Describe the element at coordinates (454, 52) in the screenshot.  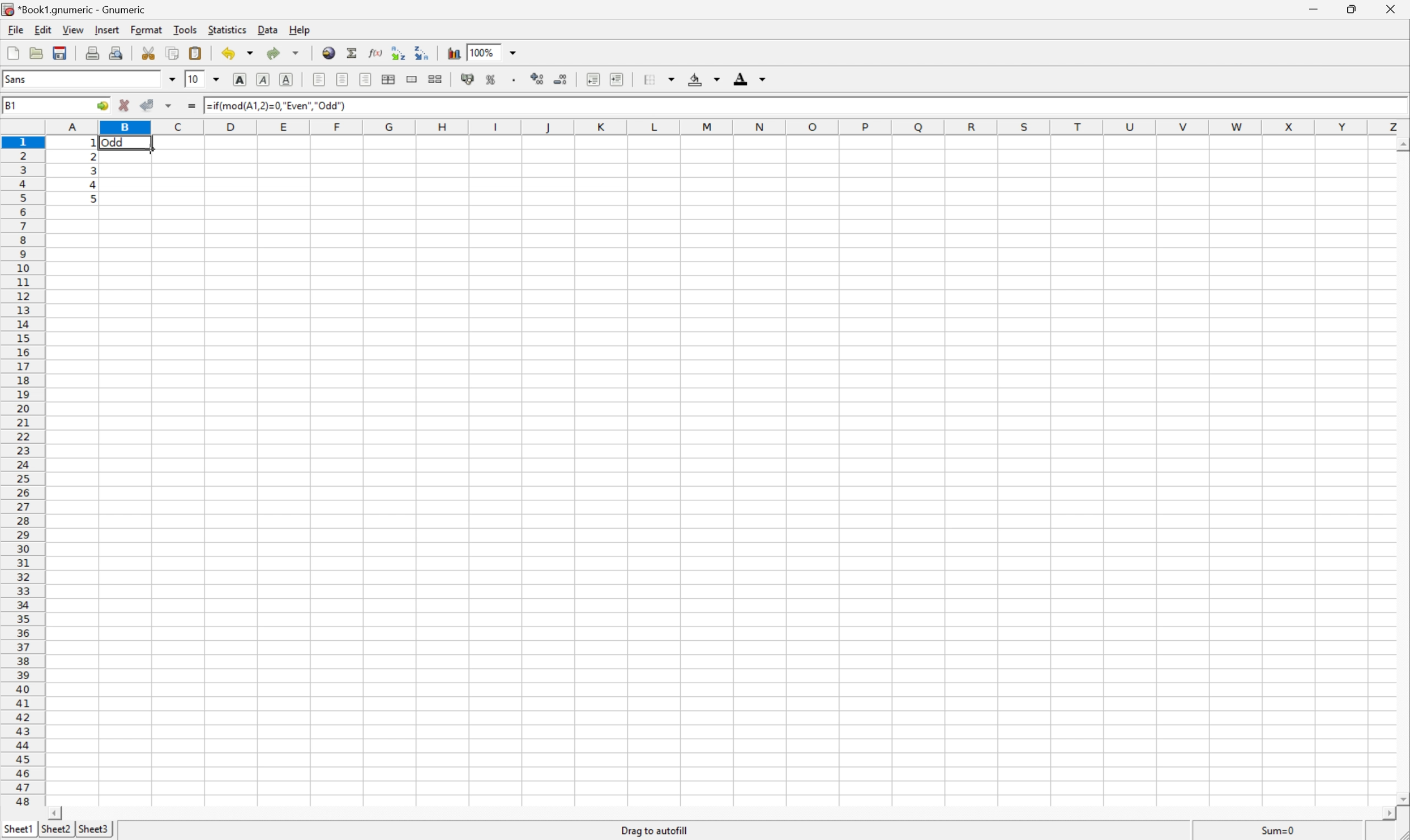
I see `Insert chart` at that location.